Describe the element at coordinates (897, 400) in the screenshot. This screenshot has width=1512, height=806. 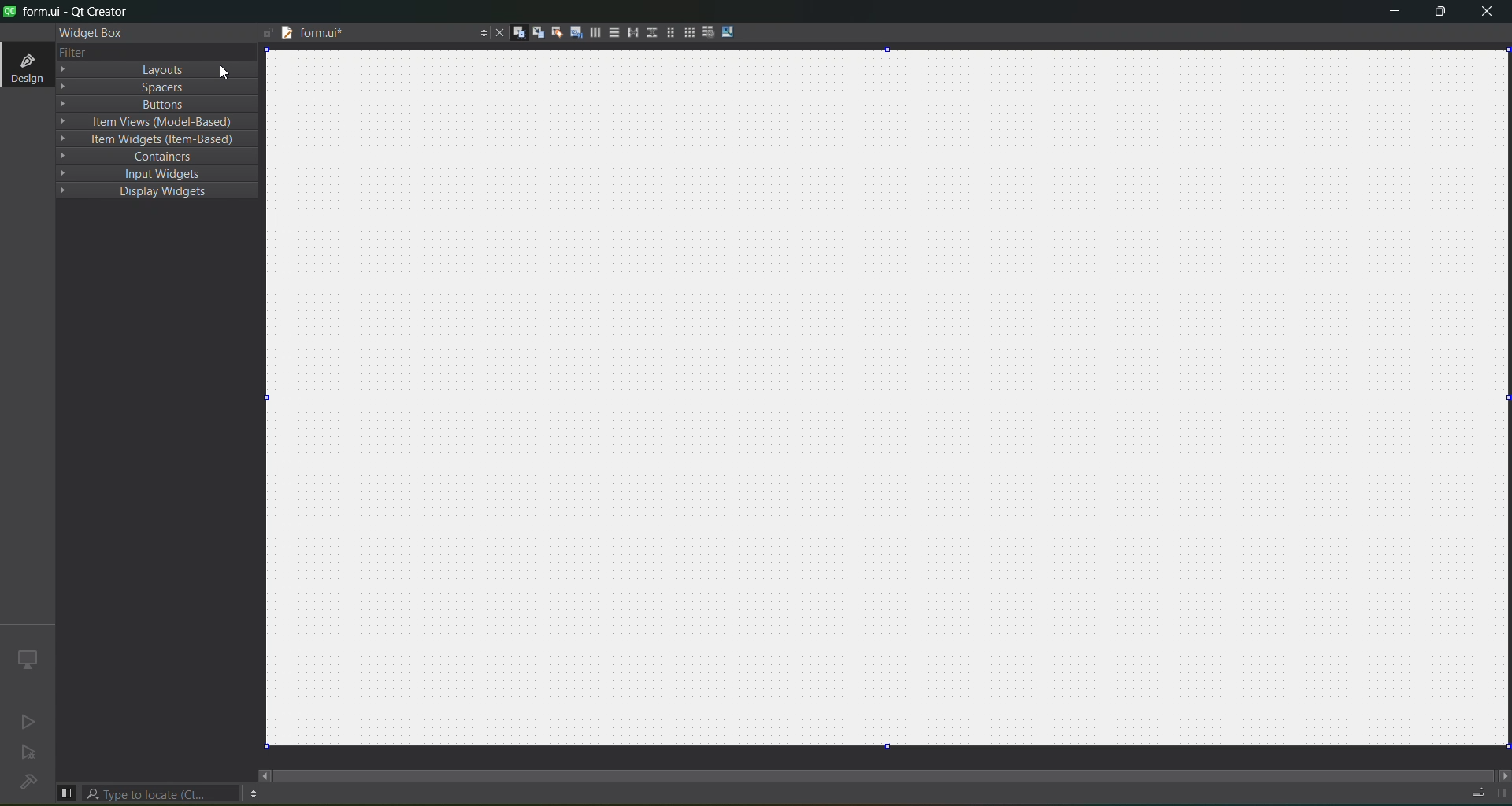
I see `canvas` at that location.